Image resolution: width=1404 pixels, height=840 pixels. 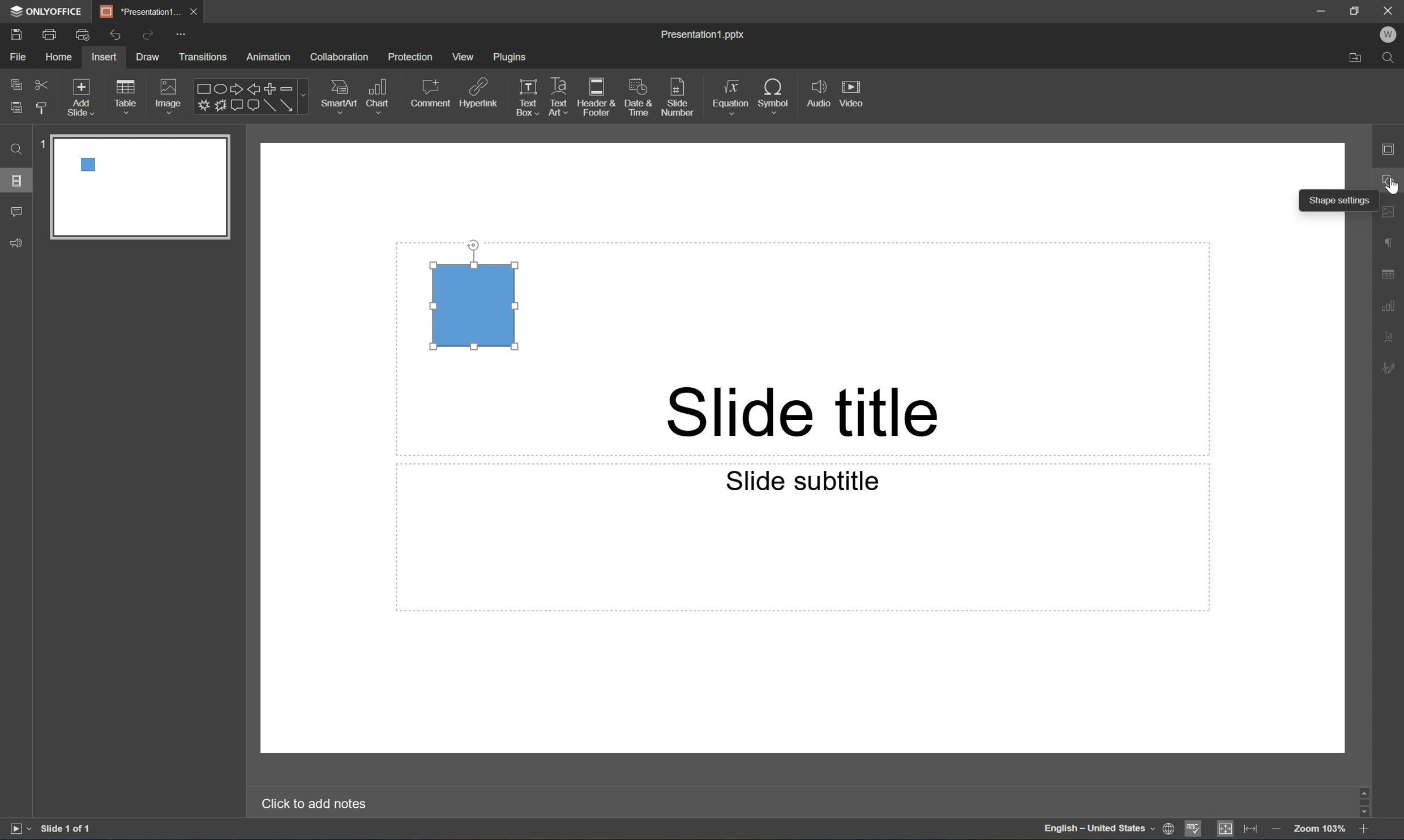 I want to click on Image, so click(x=169, y=95).